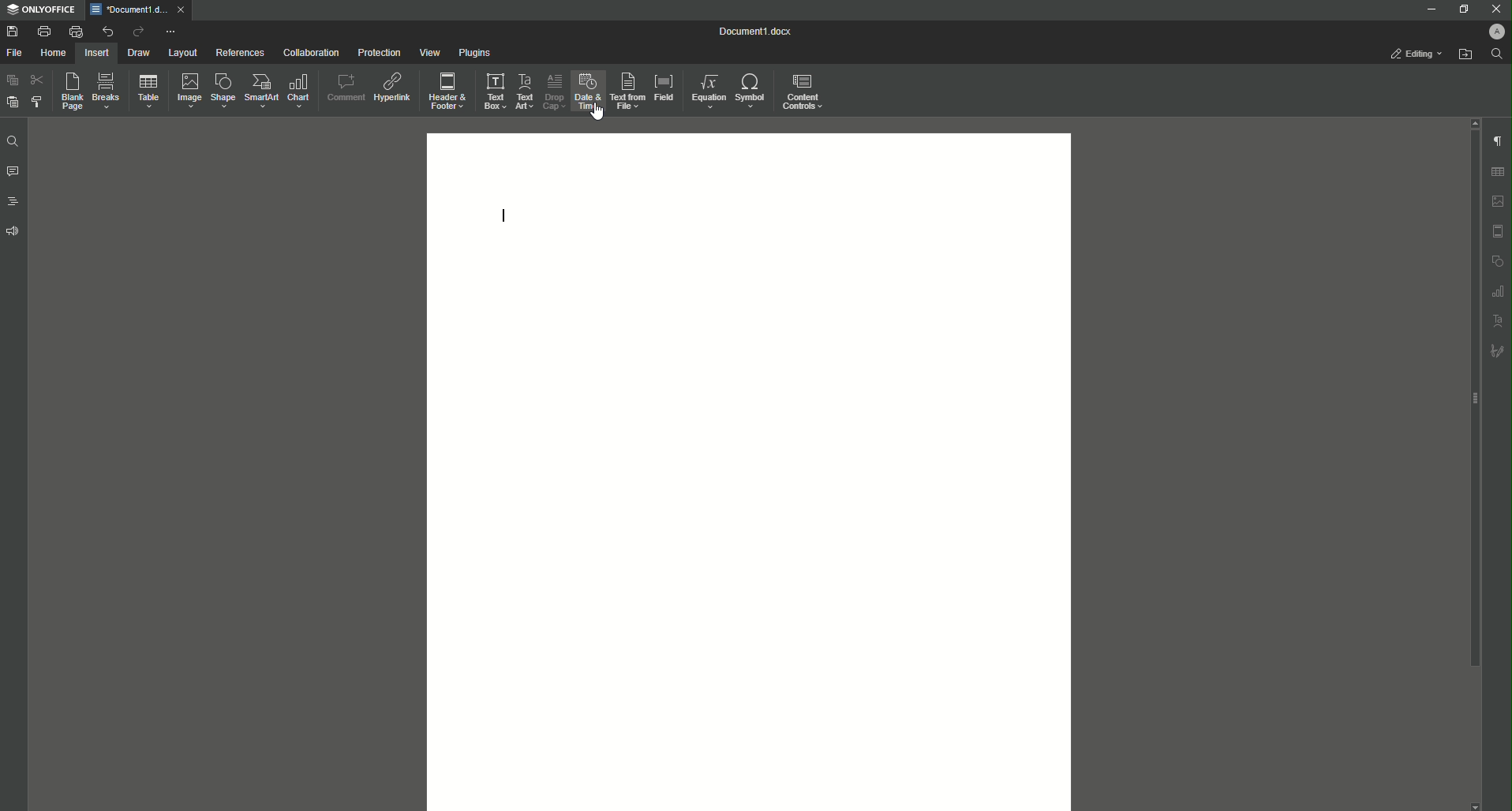  I want to click on Undo, so click(106, 31).